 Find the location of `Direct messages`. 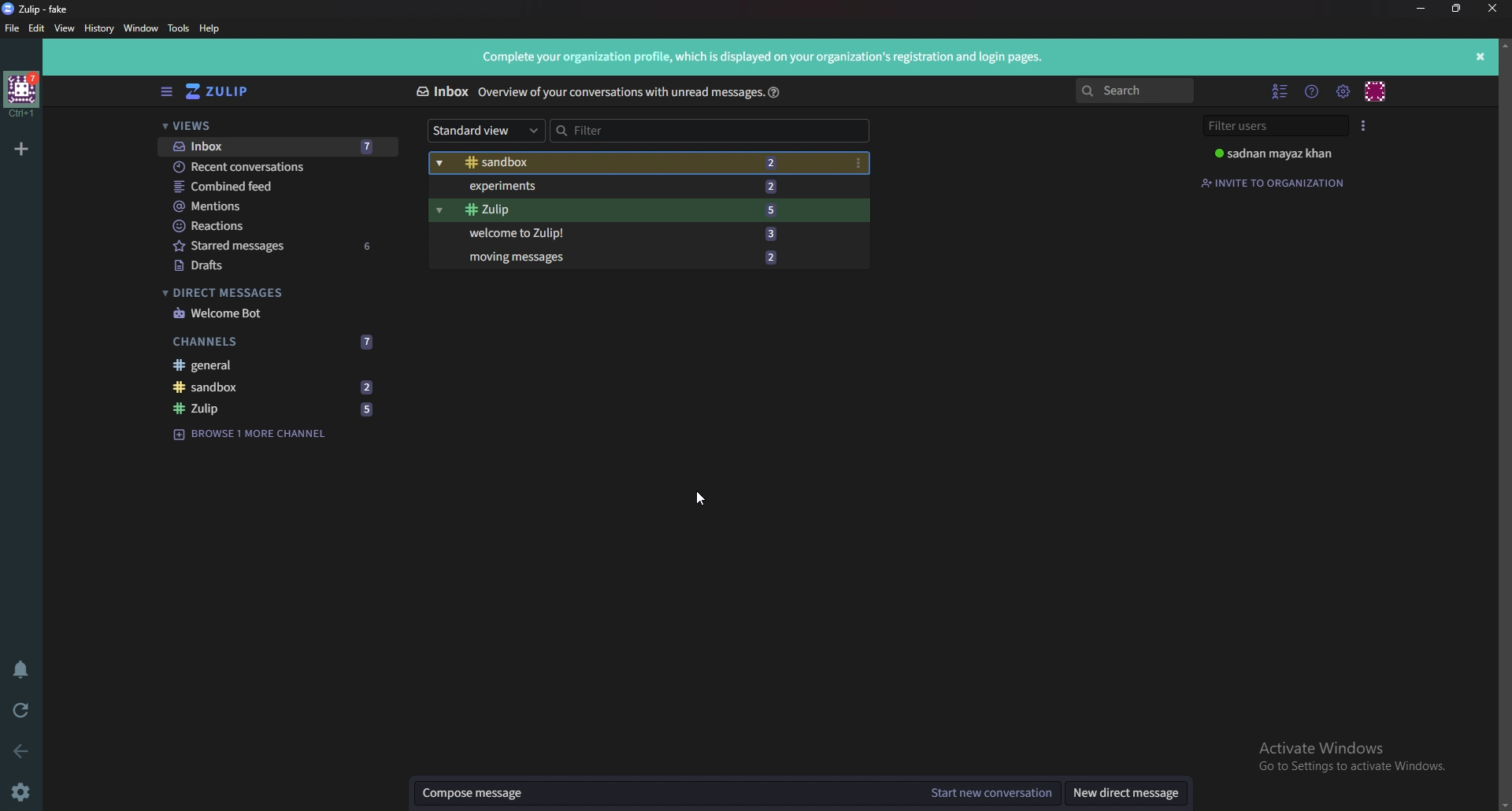

Direct messages is located at coordinates (269, 291).